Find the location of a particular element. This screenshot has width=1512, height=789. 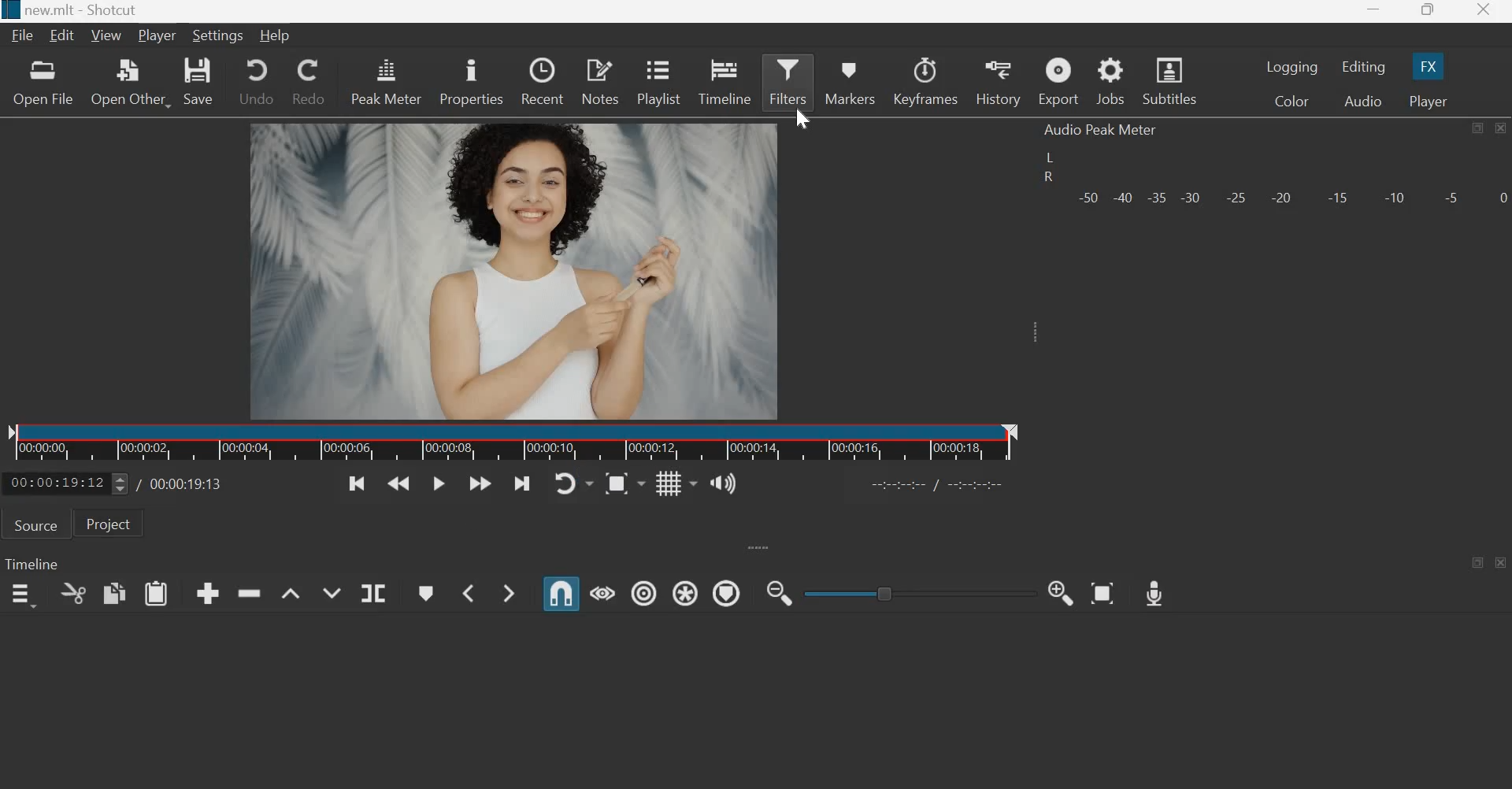

Ripple Markers is located at coordinates (726, 593).